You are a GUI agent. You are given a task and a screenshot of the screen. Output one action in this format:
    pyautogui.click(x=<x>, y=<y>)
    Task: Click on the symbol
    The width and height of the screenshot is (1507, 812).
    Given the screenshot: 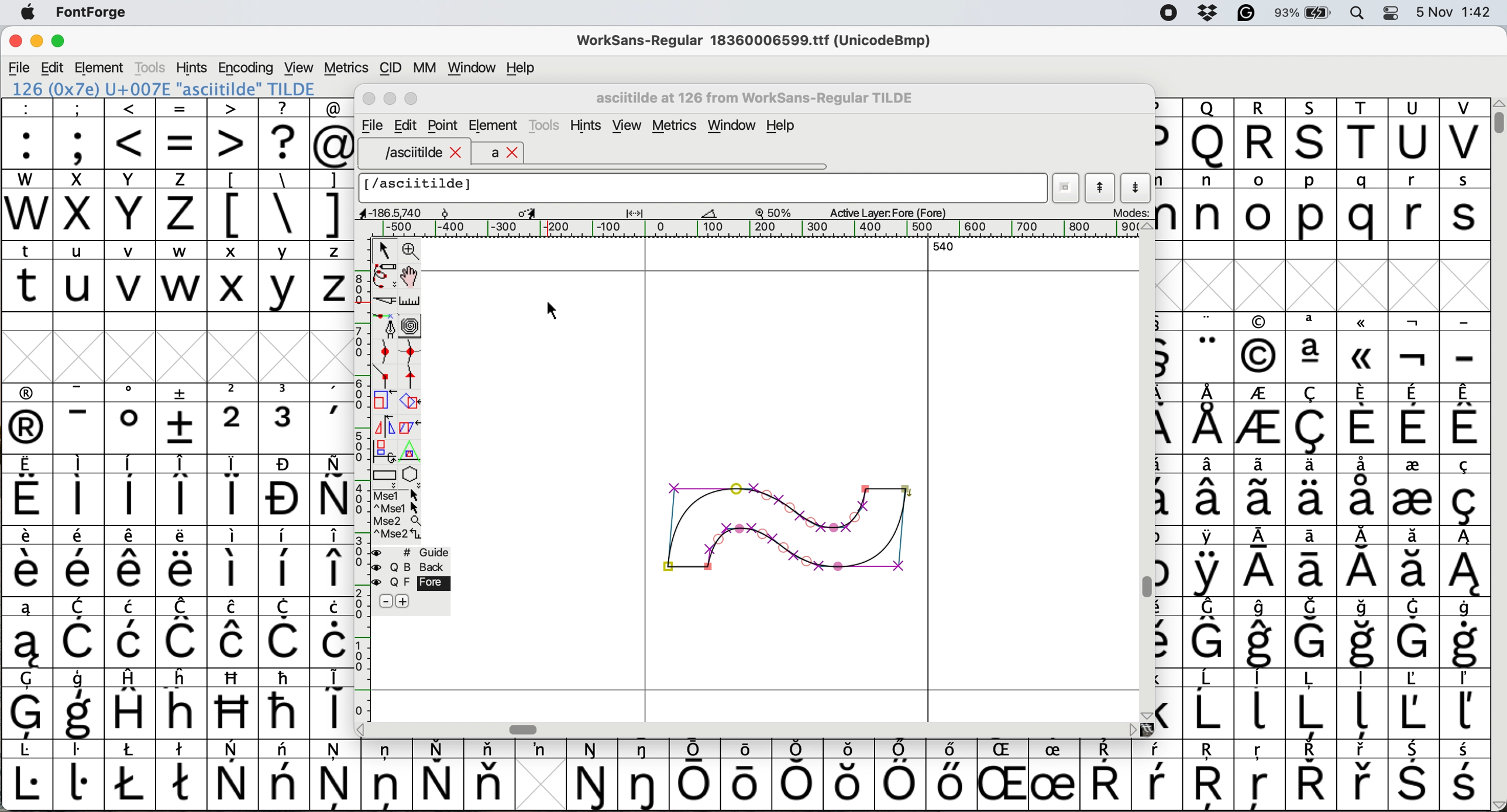 What is the action you would take?
    pyautogui.click(x=1413, y=419)
    